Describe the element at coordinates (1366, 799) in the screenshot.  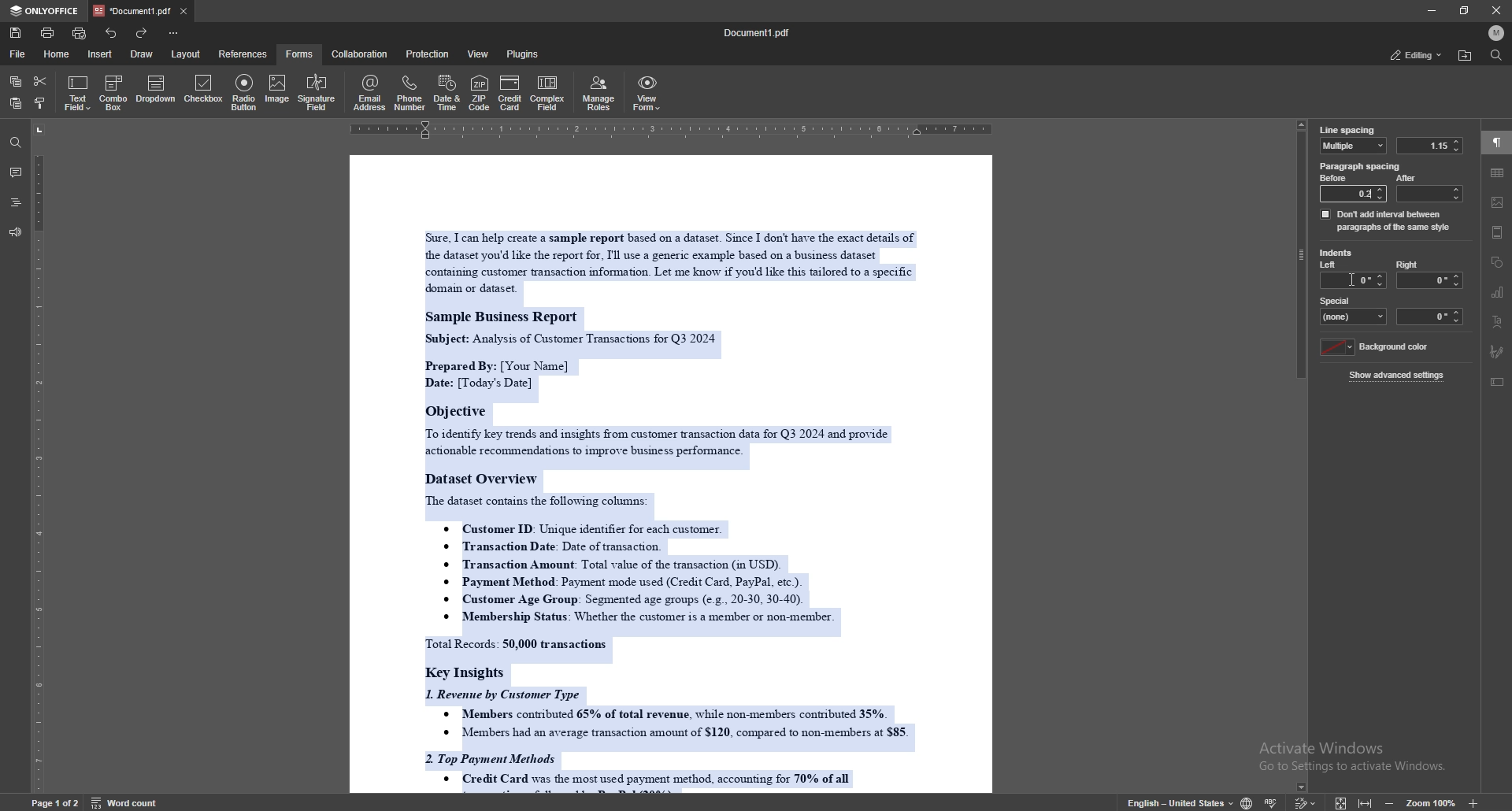
I see `fit to width` at that location.